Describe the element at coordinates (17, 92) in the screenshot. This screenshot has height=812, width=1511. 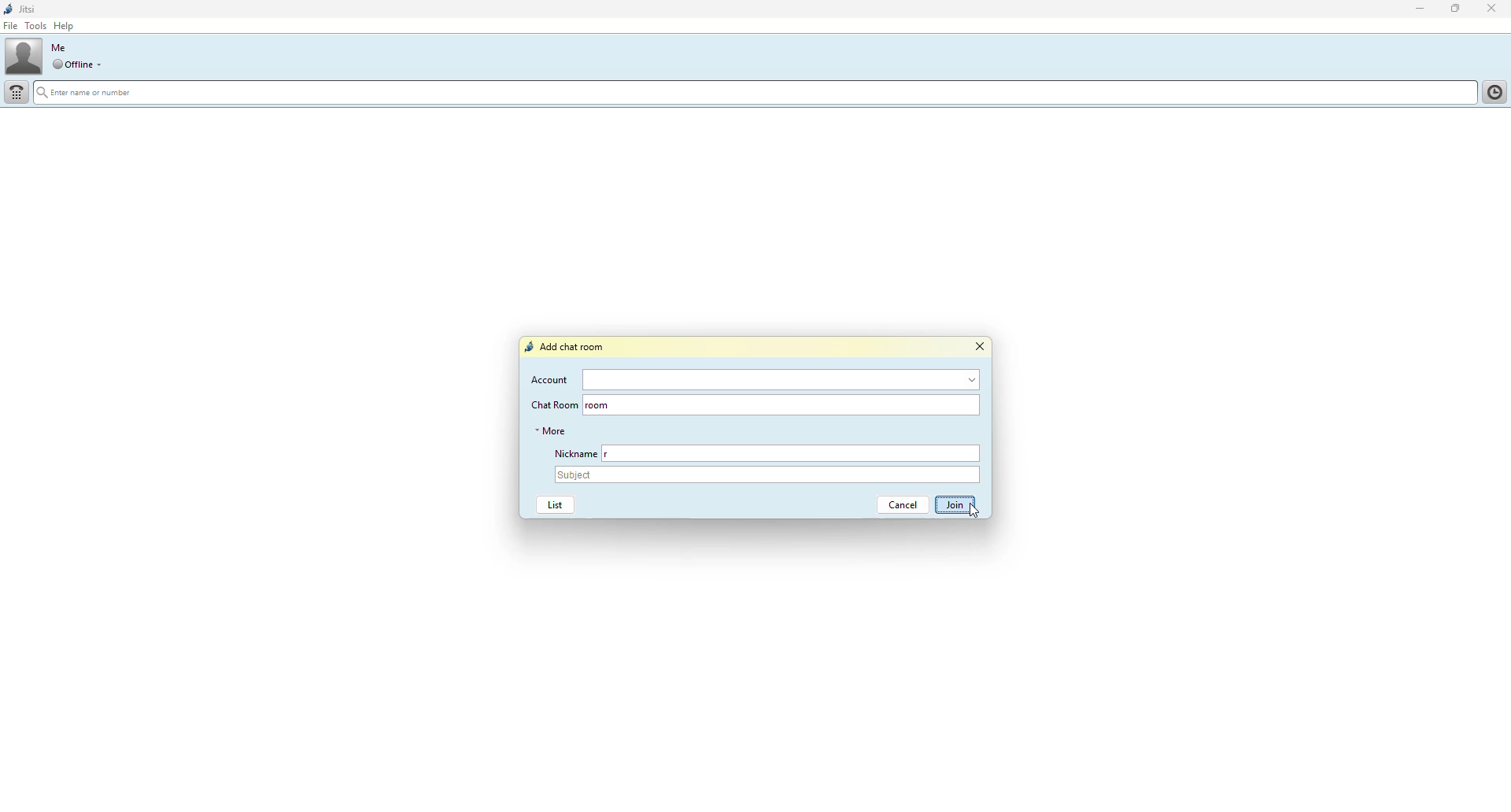
I see `dial pad` at that location.